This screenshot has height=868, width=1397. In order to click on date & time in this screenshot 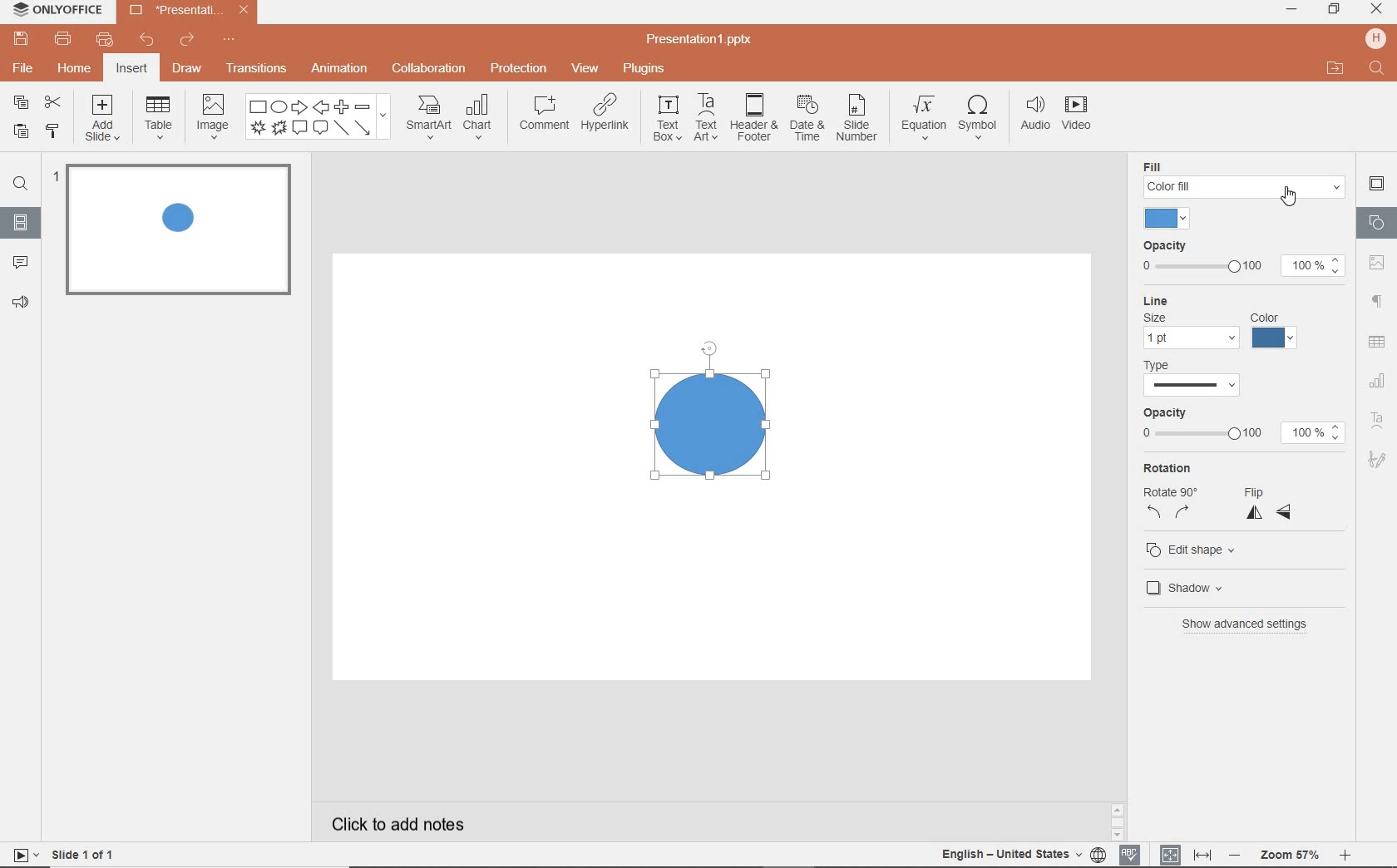, I will do `click(807, 119)`.